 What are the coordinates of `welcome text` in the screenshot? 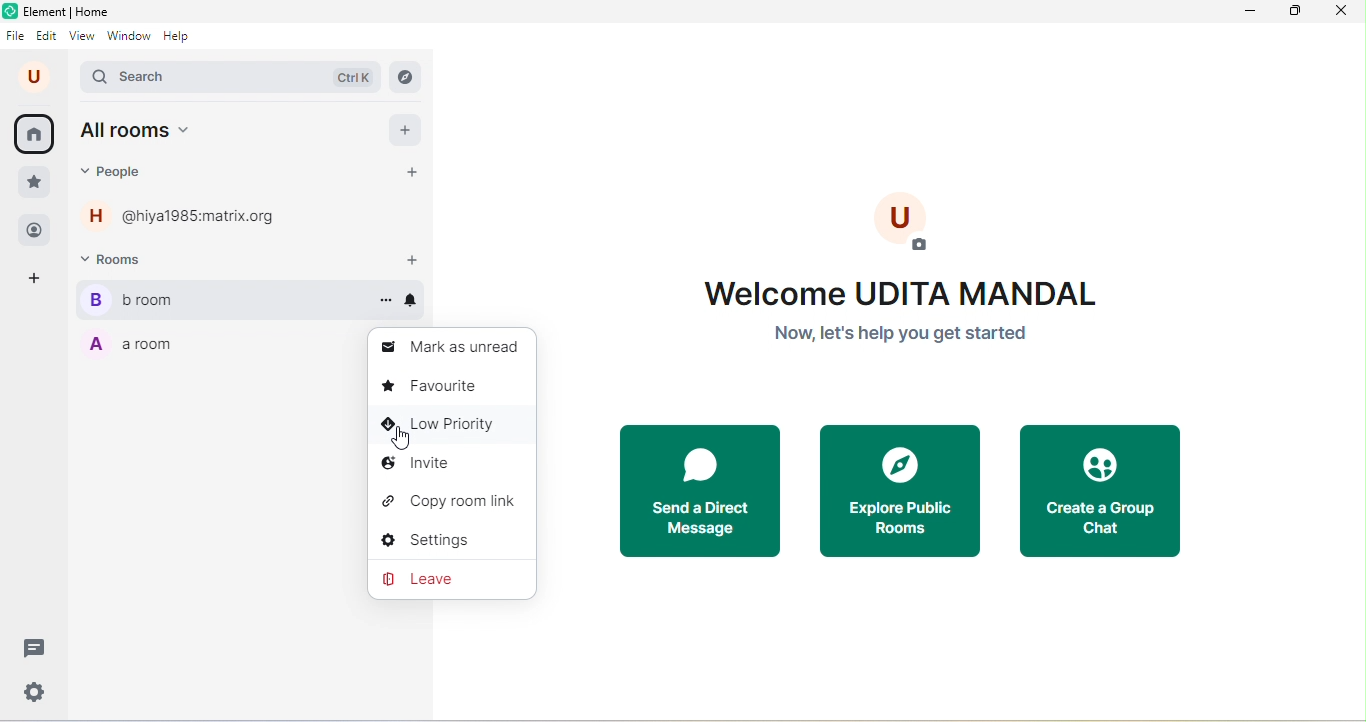 It's located at (910, 294).